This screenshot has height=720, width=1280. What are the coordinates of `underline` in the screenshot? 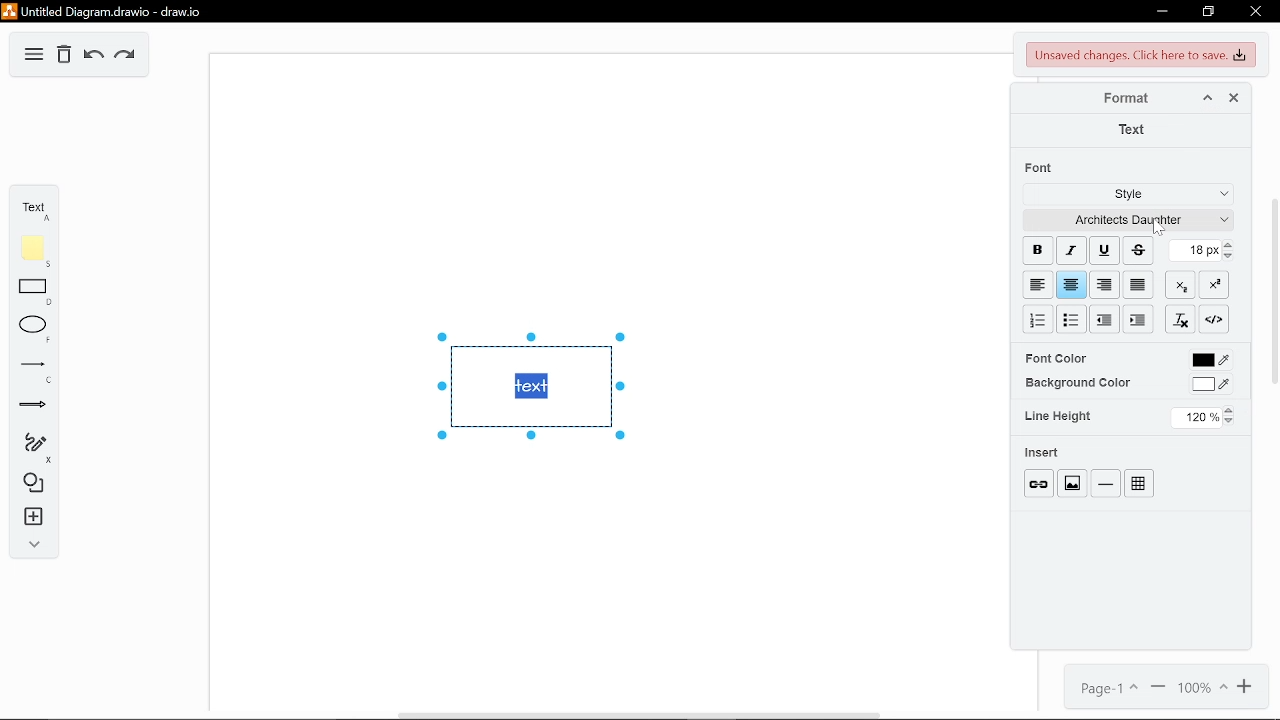 It's located at (1102, 249).